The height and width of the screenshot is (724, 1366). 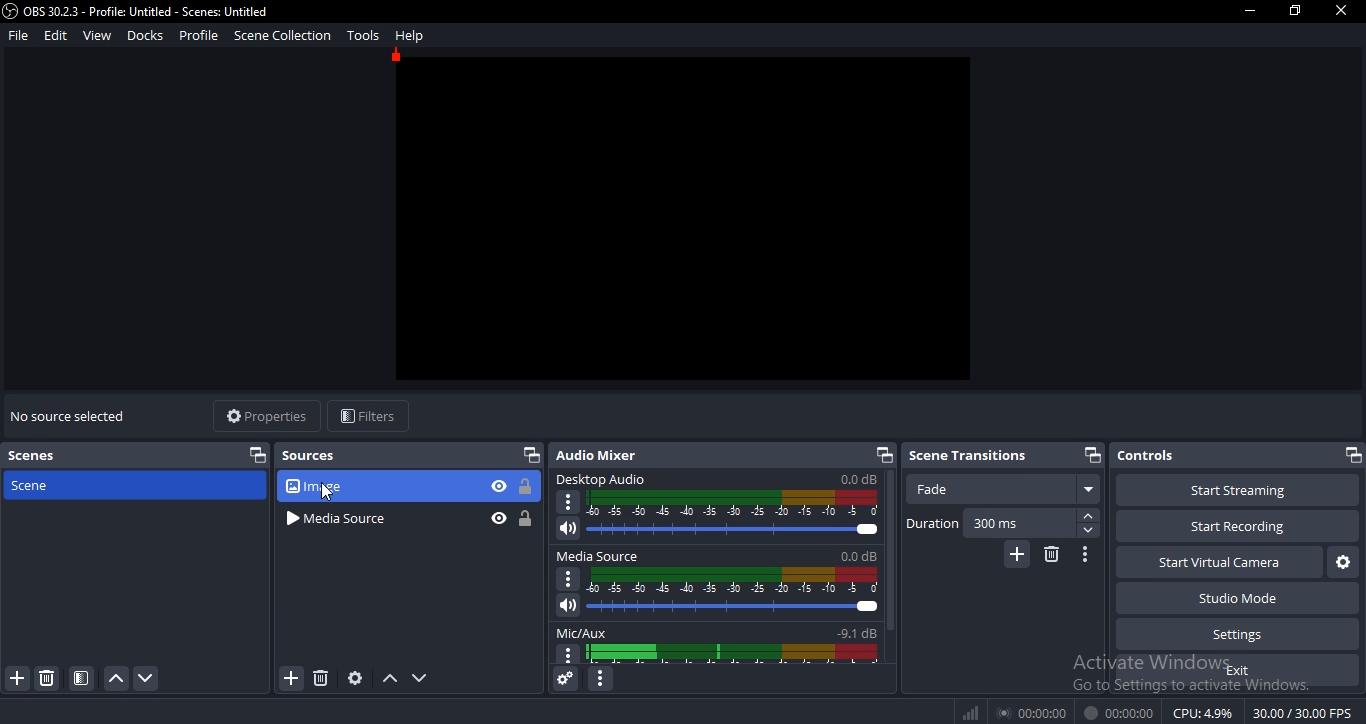 What do you see at coordinates (197, 37) in the screenshot?
I see `profile` at bounding box center [197, 37].